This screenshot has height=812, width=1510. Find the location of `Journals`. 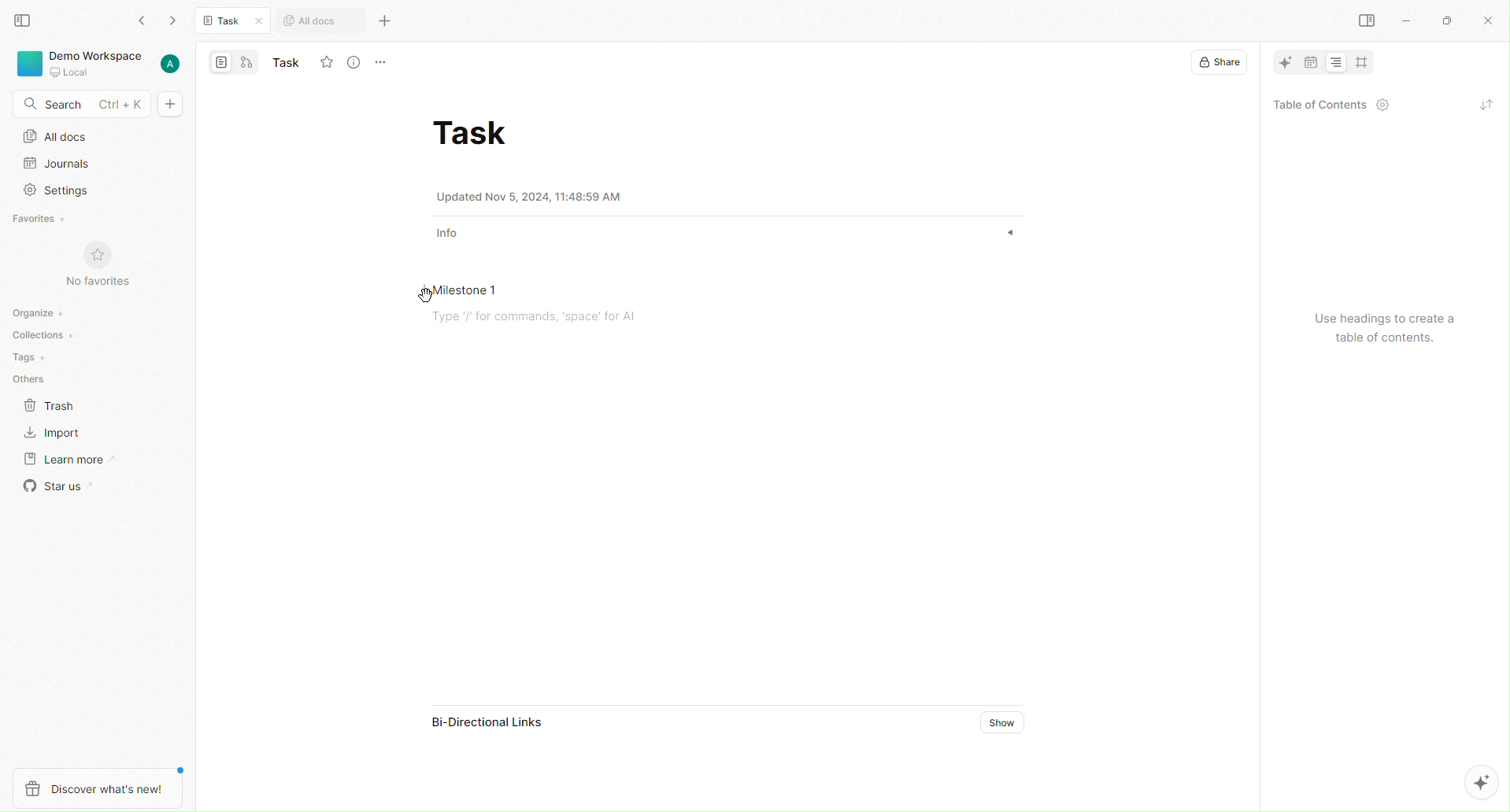

Journals is located at coordinates (68, 164).